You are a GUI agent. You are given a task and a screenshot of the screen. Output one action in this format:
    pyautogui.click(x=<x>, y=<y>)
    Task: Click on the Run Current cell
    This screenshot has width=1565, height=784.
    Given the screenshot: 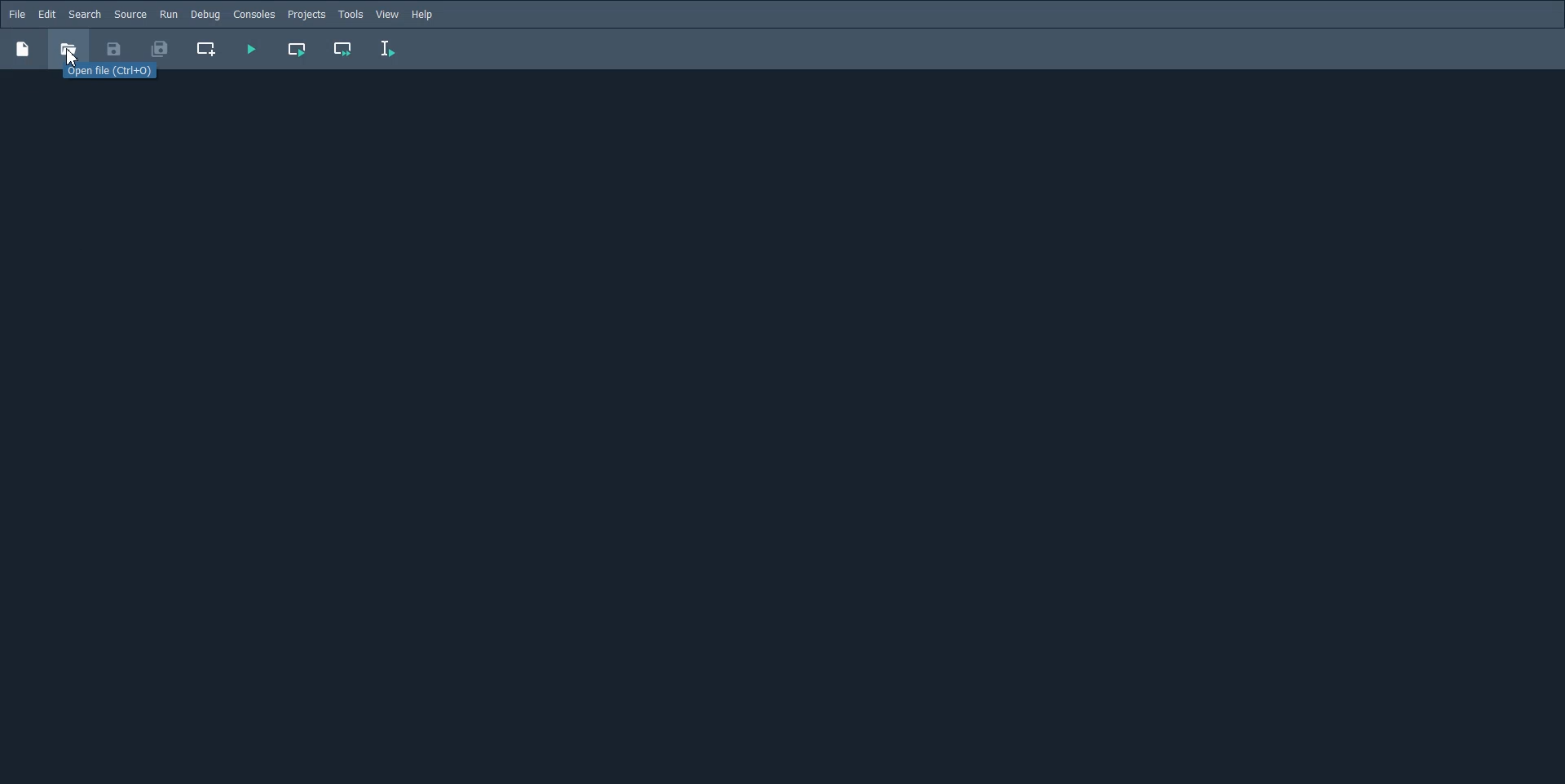 What is the action you would take?
    pyautogui.click(x=298, y=49)
    